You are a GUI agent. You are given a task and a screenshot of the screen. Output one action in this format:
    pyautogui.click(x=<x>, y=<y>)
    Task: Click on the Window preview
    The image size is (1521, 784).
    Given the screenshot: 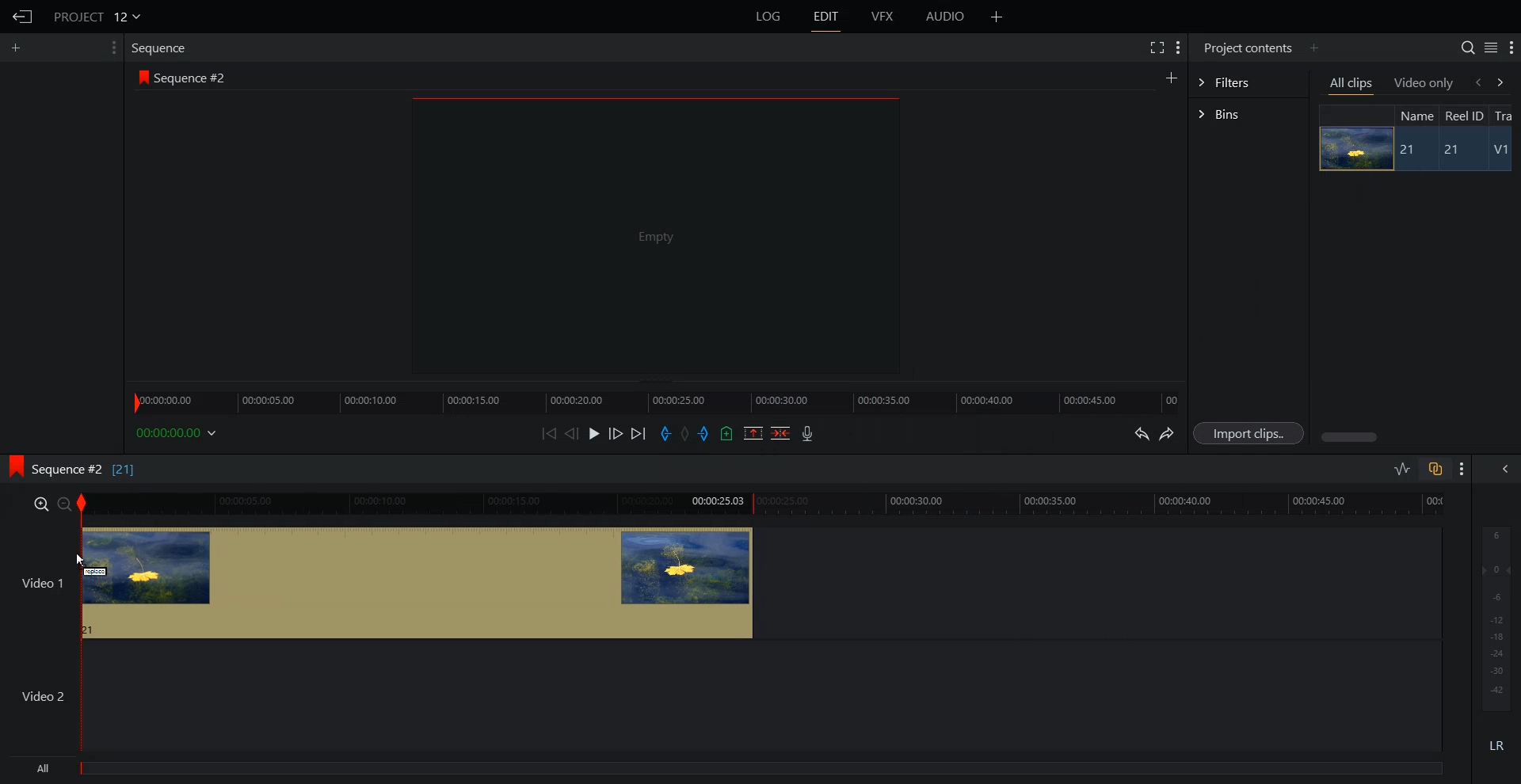 What is the action you would take?
    pyautogui.click(x=651, y=234)
    